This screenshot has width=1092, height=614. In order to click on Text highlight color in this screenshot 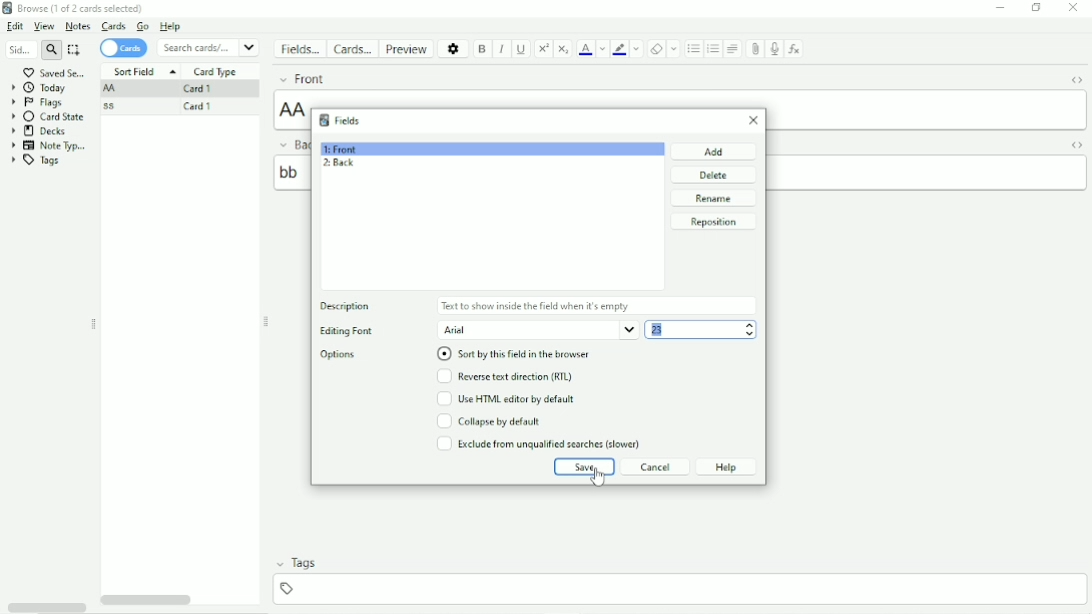, I will do `click(619, 49)`.